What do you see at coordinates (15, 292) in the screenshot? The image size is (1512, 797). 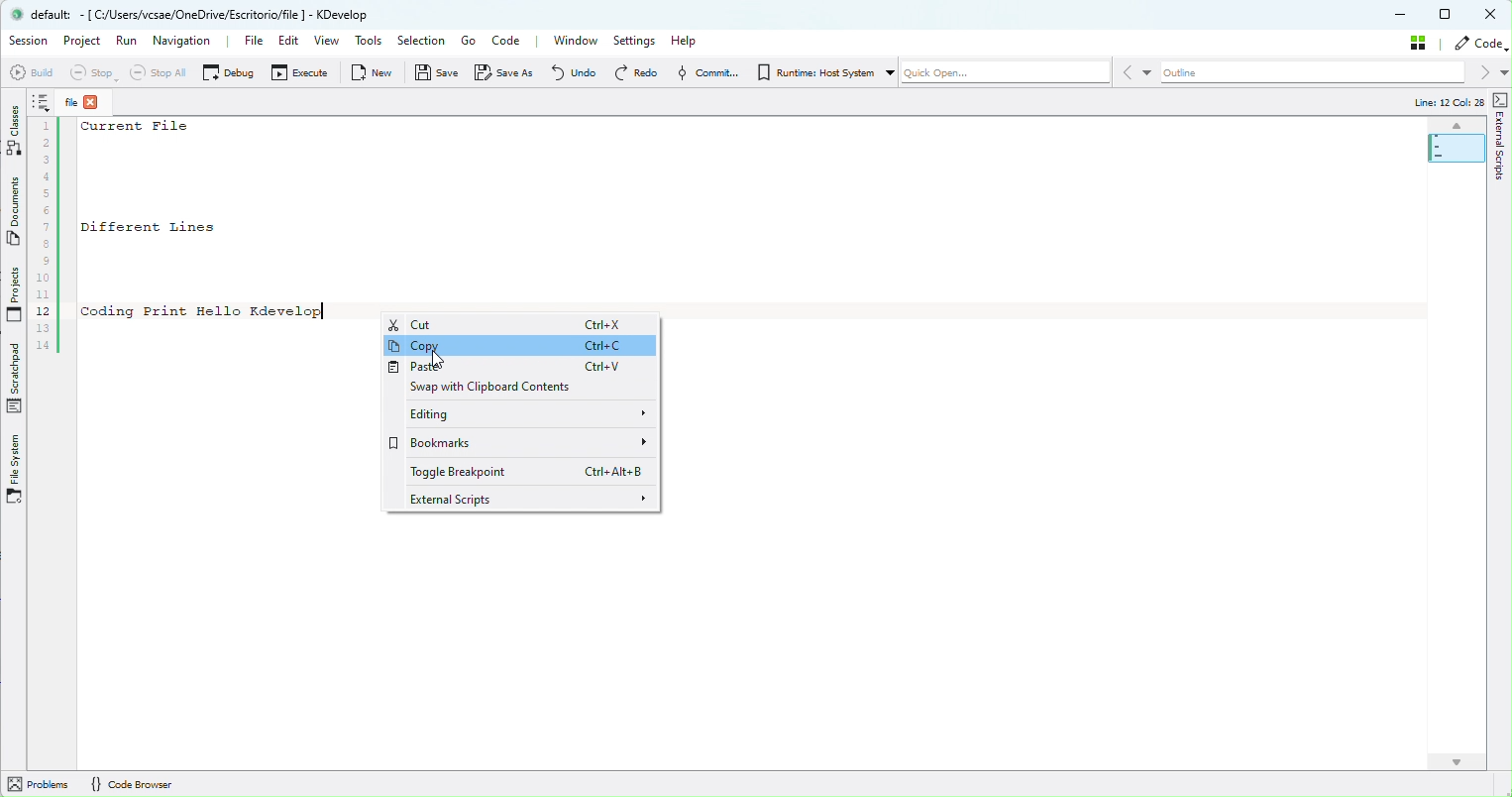 I see `projects` at bounding box center [15, 292].